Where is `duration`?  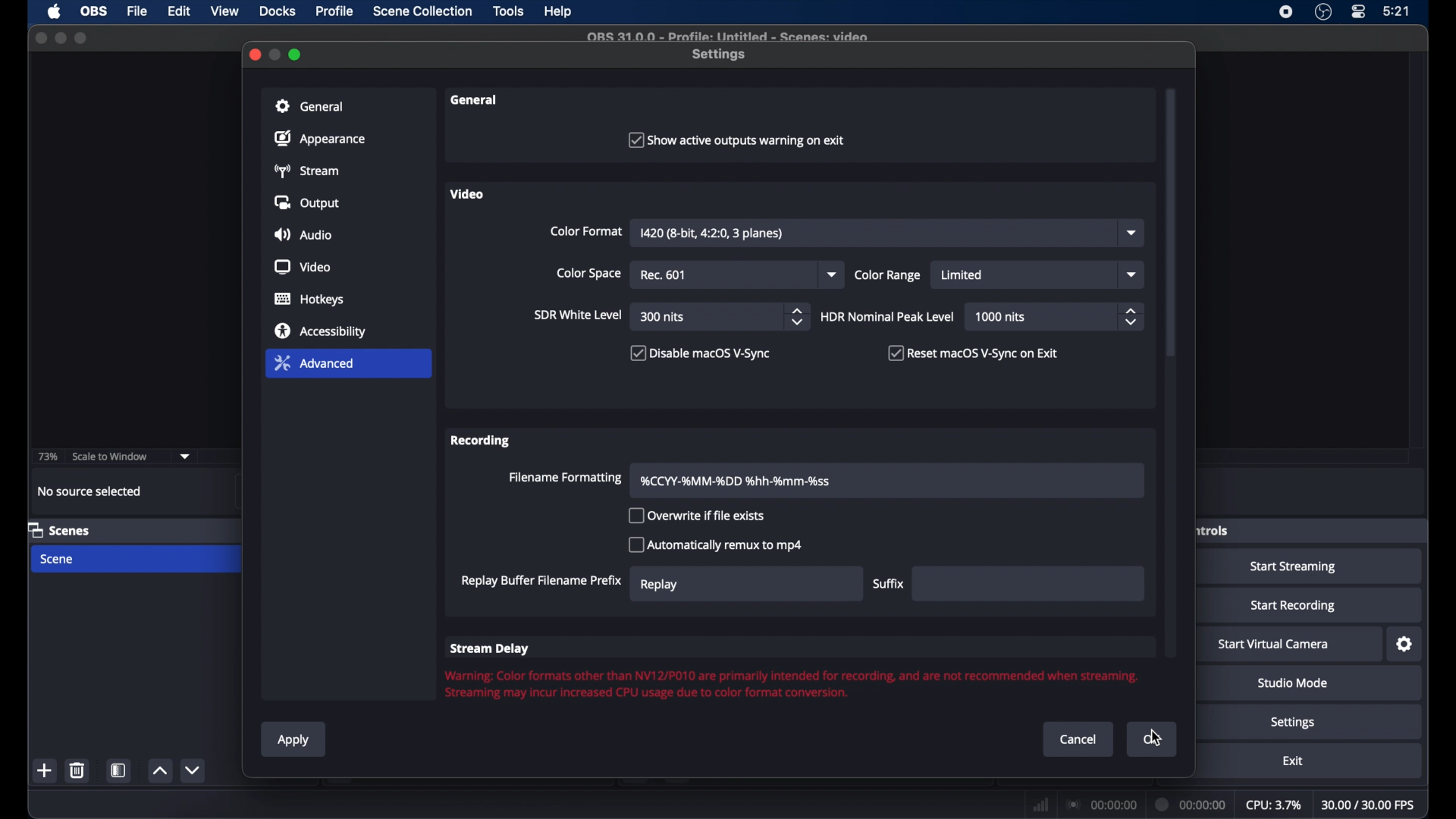 duration is located at coordinates (1192, 803).